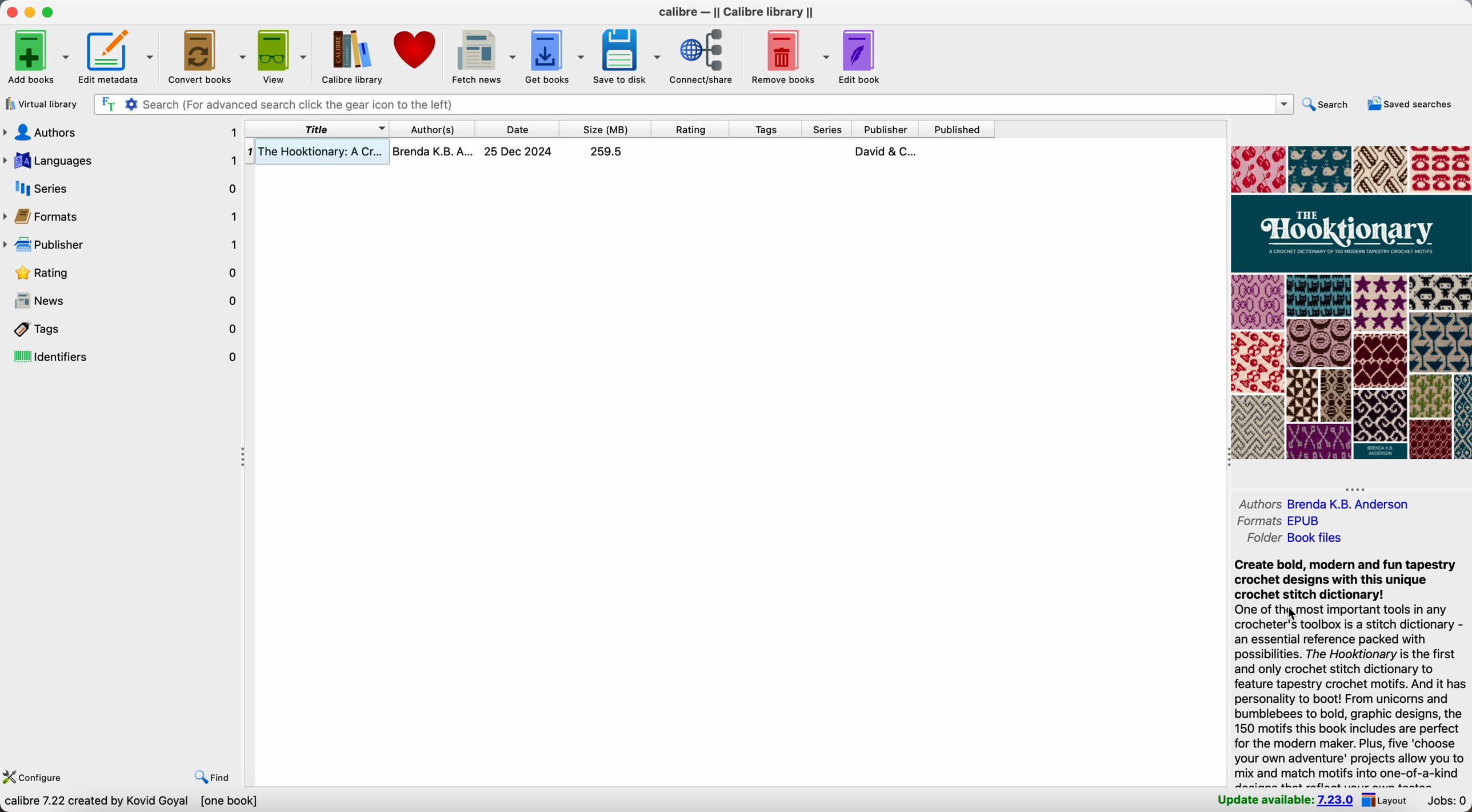 The image size is (1472, 812). I want to click on authors, so click(1334, 505).